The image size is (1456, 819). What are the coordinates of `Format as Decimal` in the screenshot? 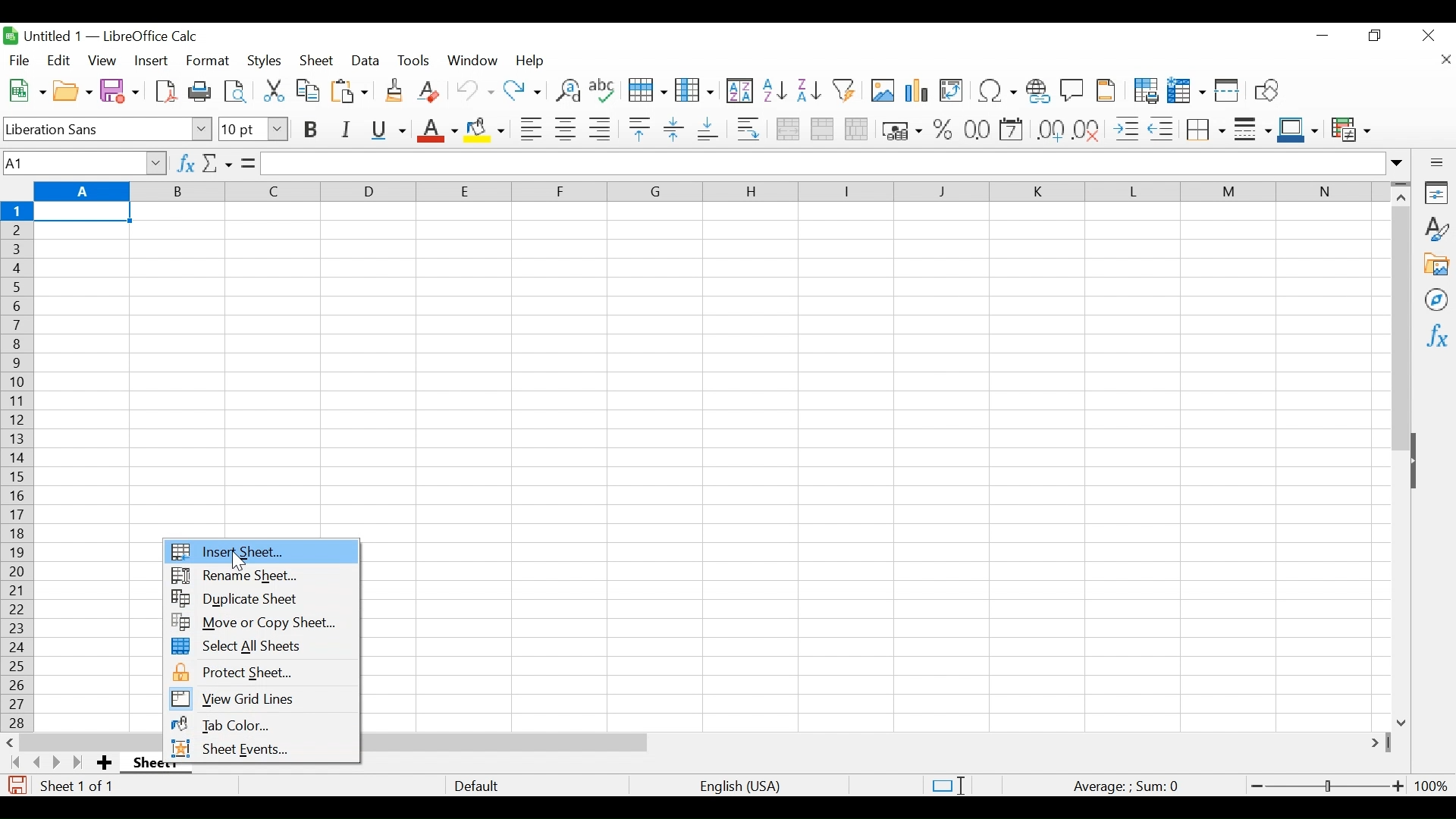 It's located at (1050, 131).